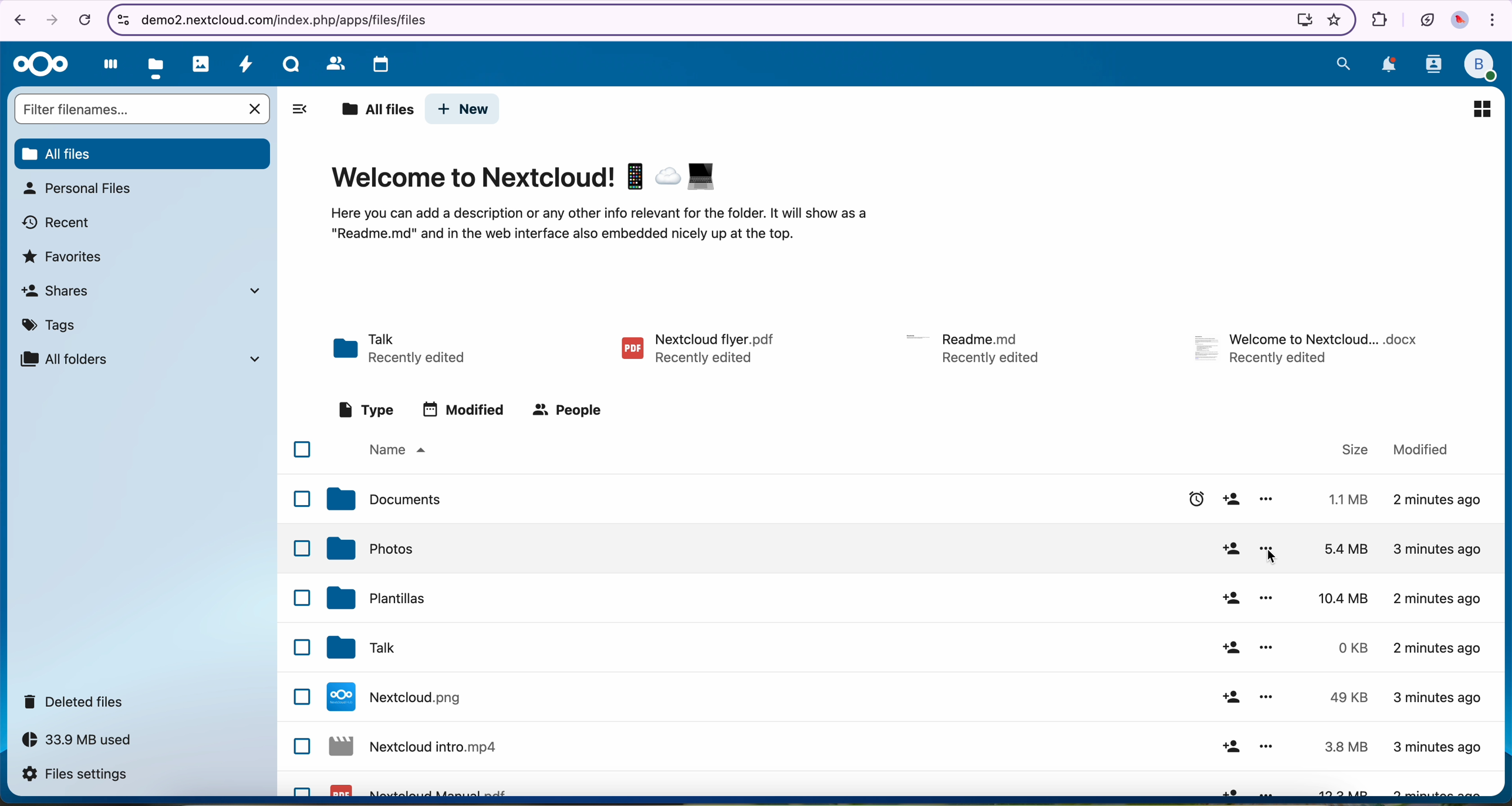 The image size is (1512, 806). What do you see at coordinates (464, 409) in the screenshot?
I see `modified` at bounding box center [464, 409].